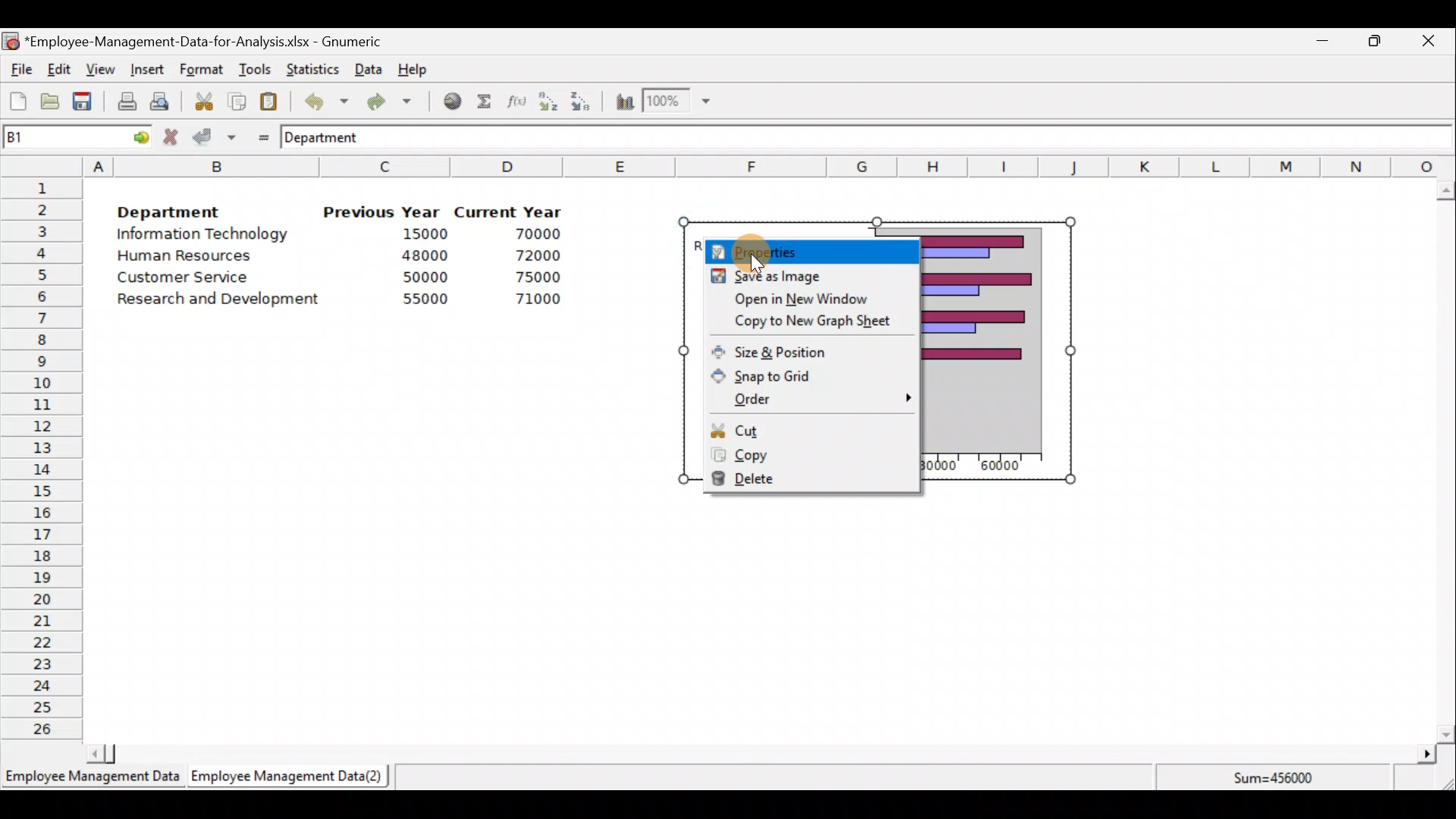 The image size is (1456, 819). Describe the element at coordinates (382, 212) in the screenshot. I see `Previous Year` at that location.